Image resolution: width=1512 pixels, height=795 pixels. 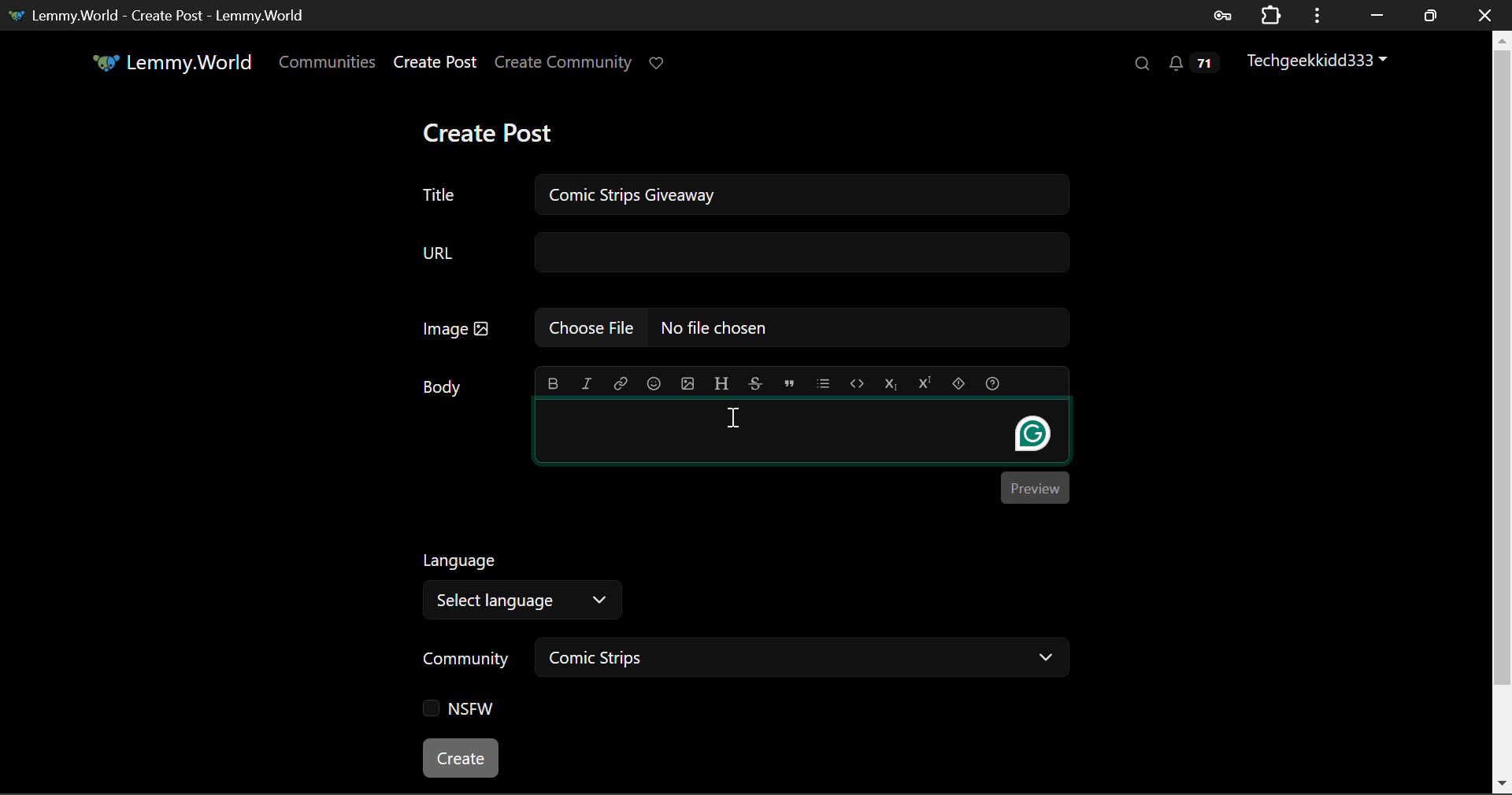 What do you see at coordinates (756, 380) in the screenshot?
I see `strikethrough` at bounding box center [756, 380].